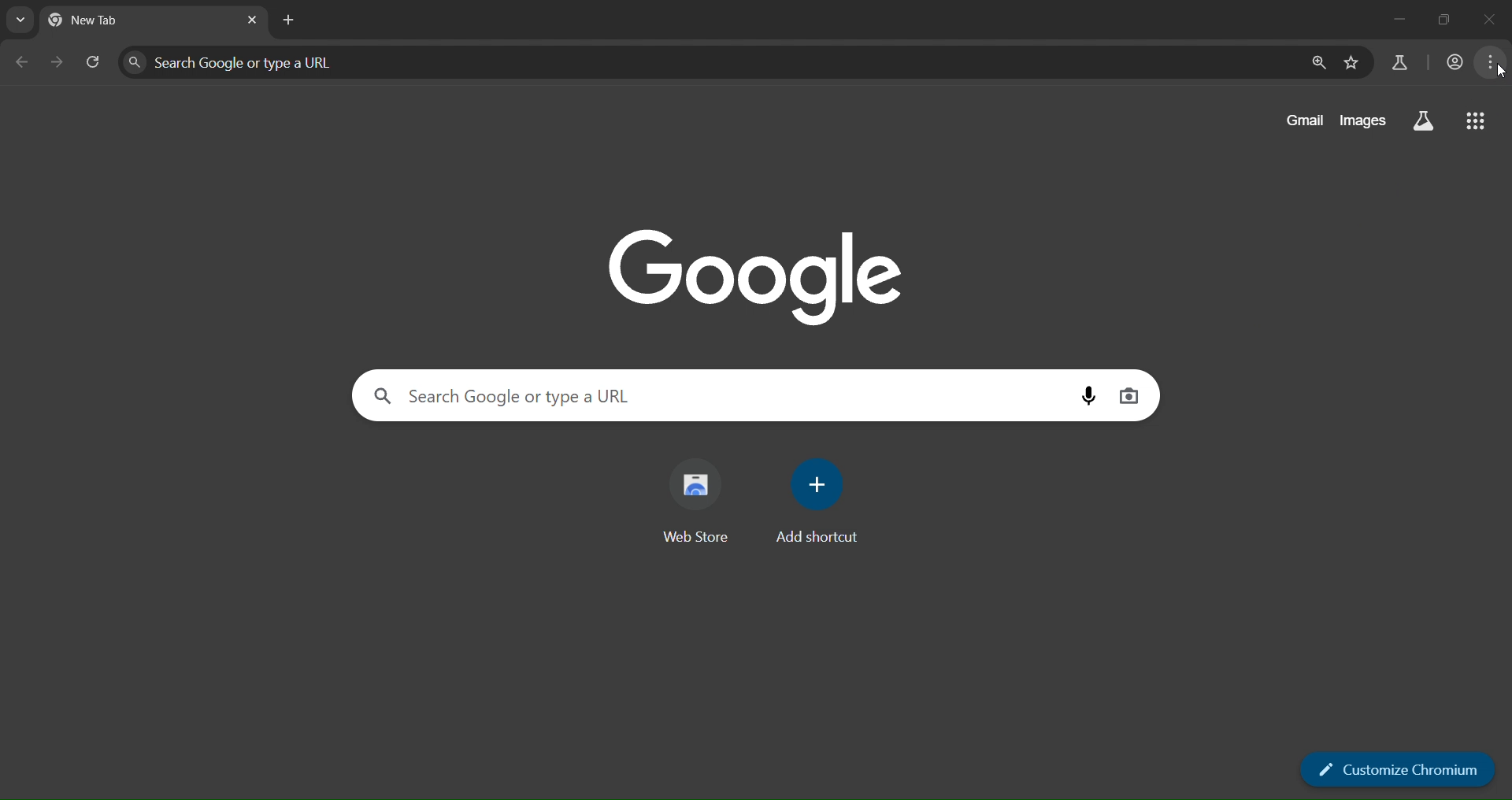 This screenshot has height=800, width=1512. I want to click on bookmark page, so click(1353, 61).